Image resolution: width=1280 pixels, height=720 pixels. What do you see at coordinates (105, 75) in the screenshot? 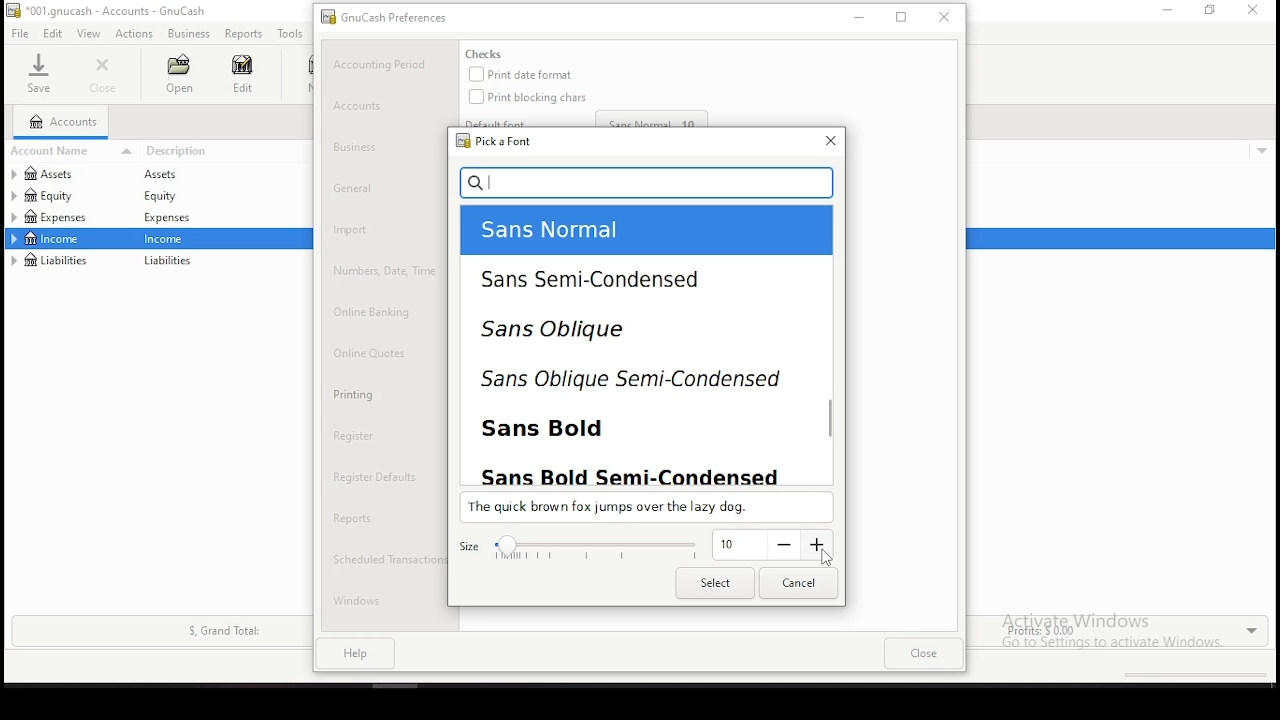
I see `close` at bounding box center [105, 75].